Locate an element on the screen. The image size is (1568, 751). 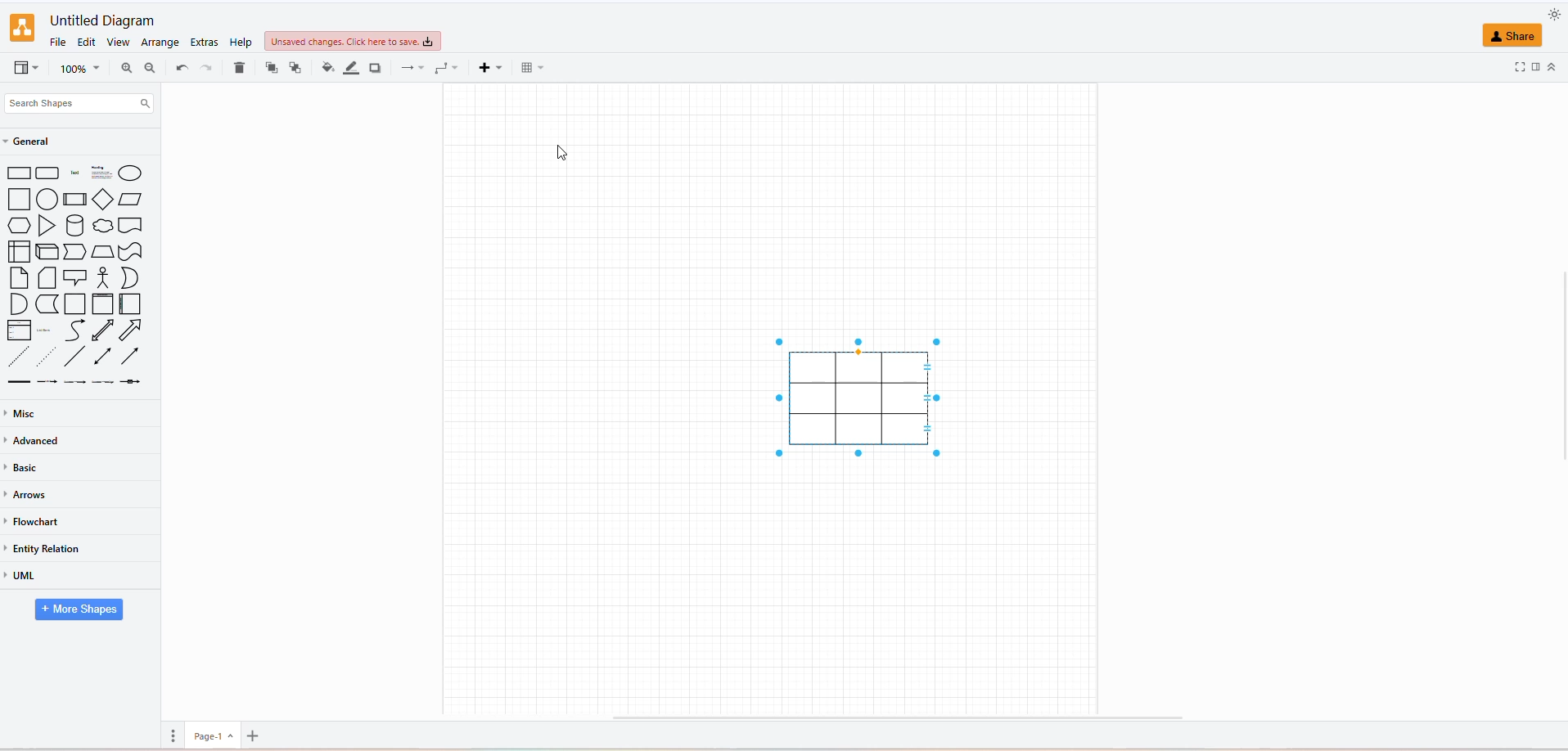
to back is located at coordinates (272, 67).